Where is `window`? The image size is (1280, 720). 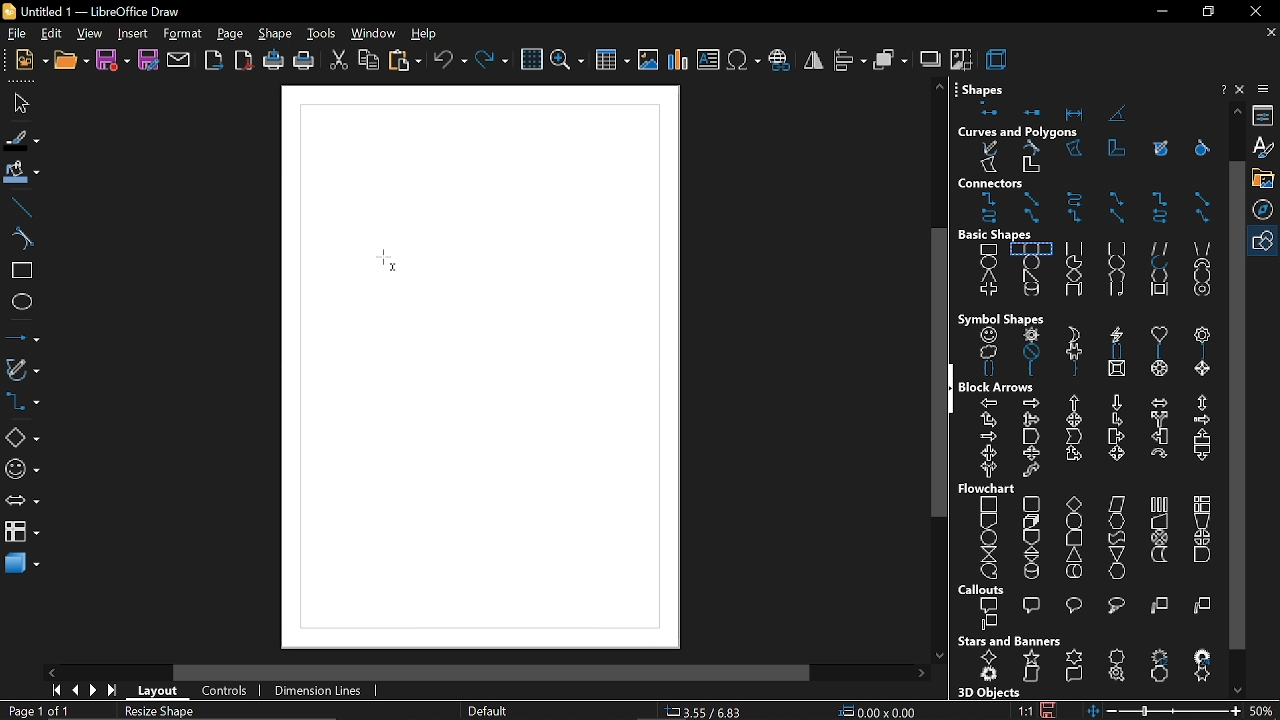 window is located at coordinates (372, 35).